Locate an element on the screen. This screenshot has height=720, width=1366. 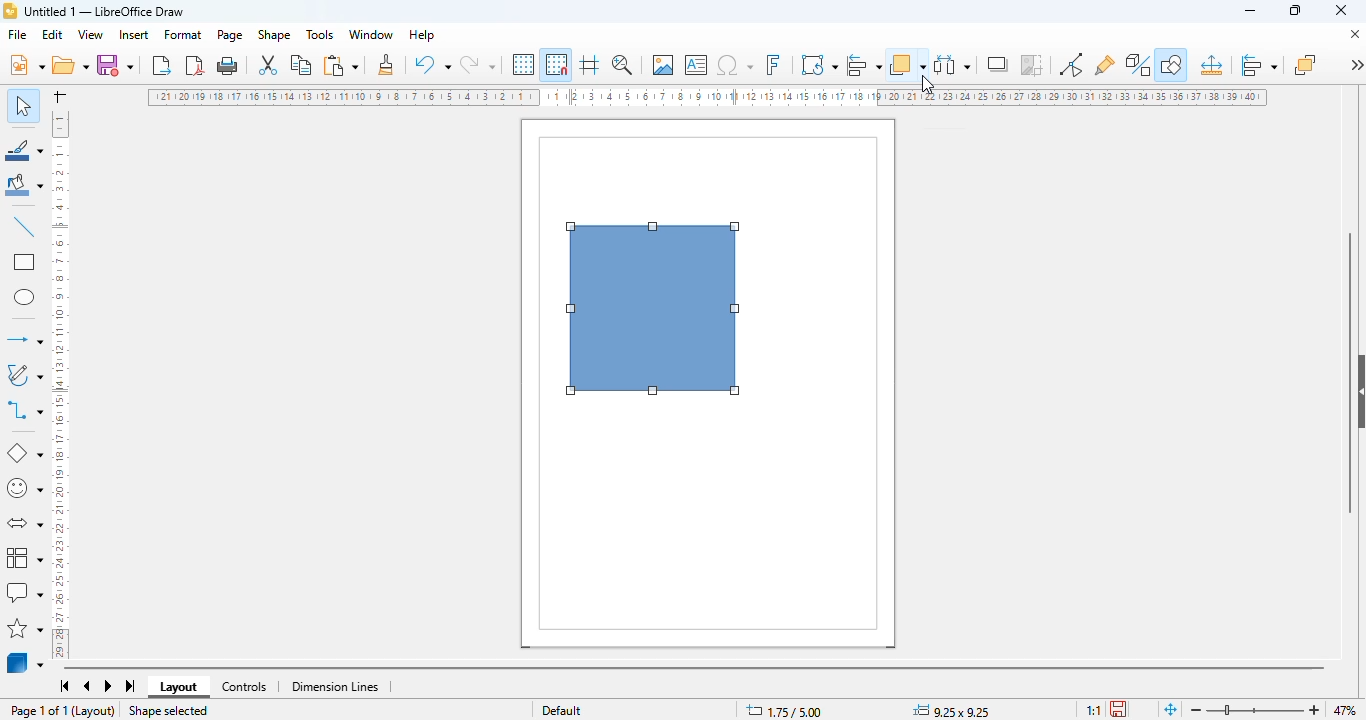
show gluepoint functions is located at coordinates (1105, 65).